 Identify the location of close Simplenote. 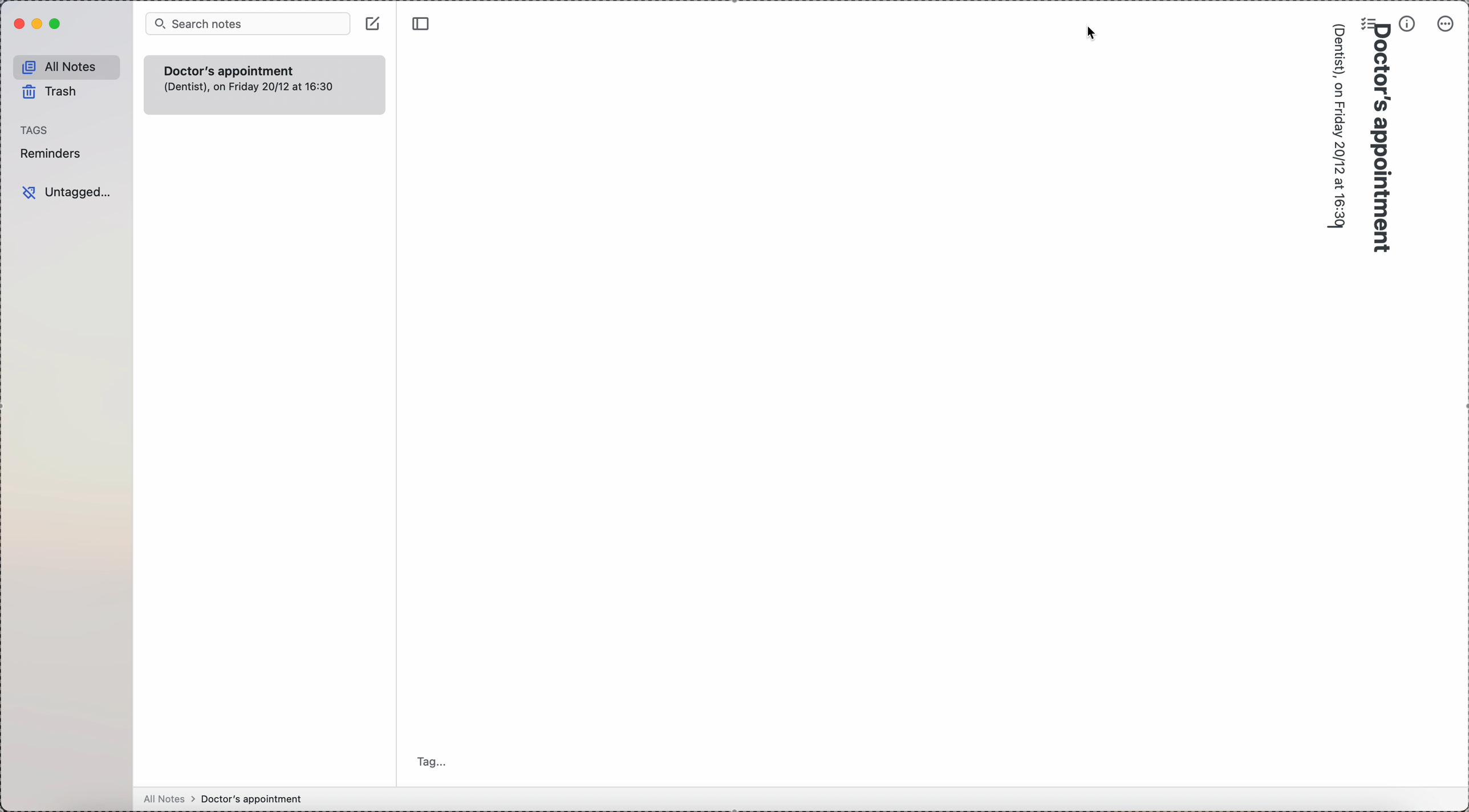
(15, 23).